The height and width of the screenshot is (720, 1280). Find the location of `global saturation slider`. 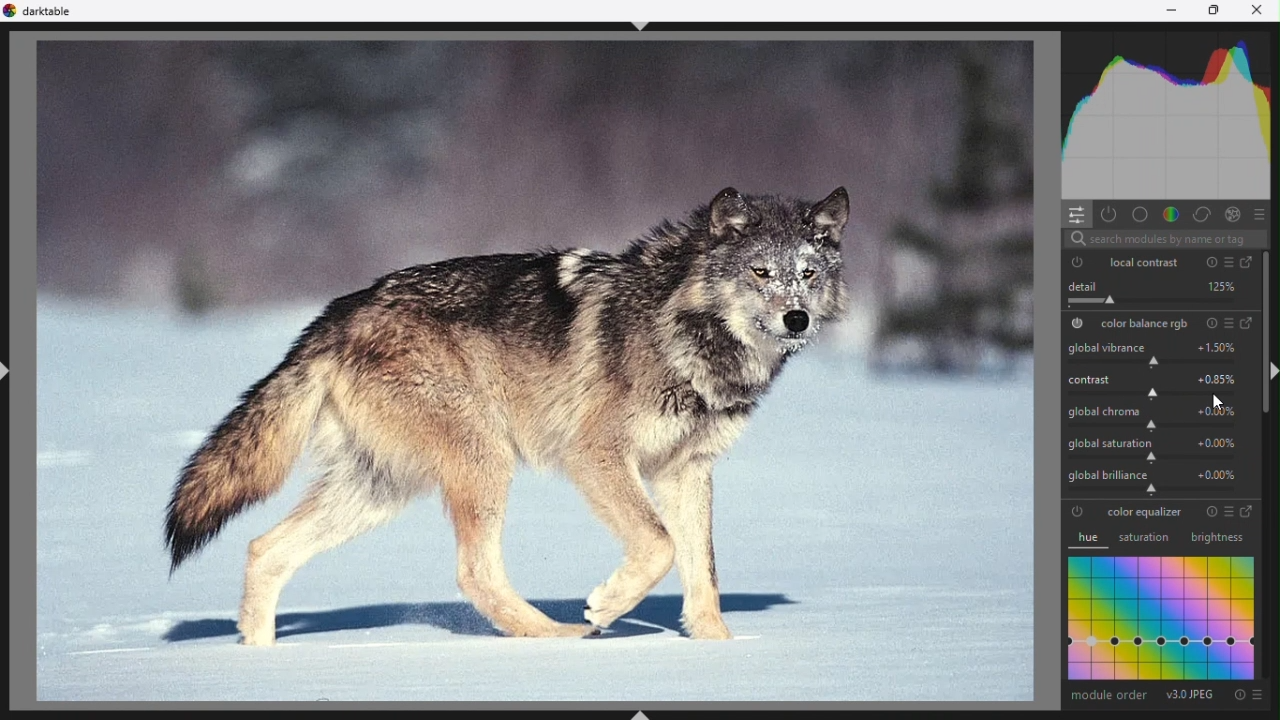

global saturation slider is located at coordinates (1152, 446).